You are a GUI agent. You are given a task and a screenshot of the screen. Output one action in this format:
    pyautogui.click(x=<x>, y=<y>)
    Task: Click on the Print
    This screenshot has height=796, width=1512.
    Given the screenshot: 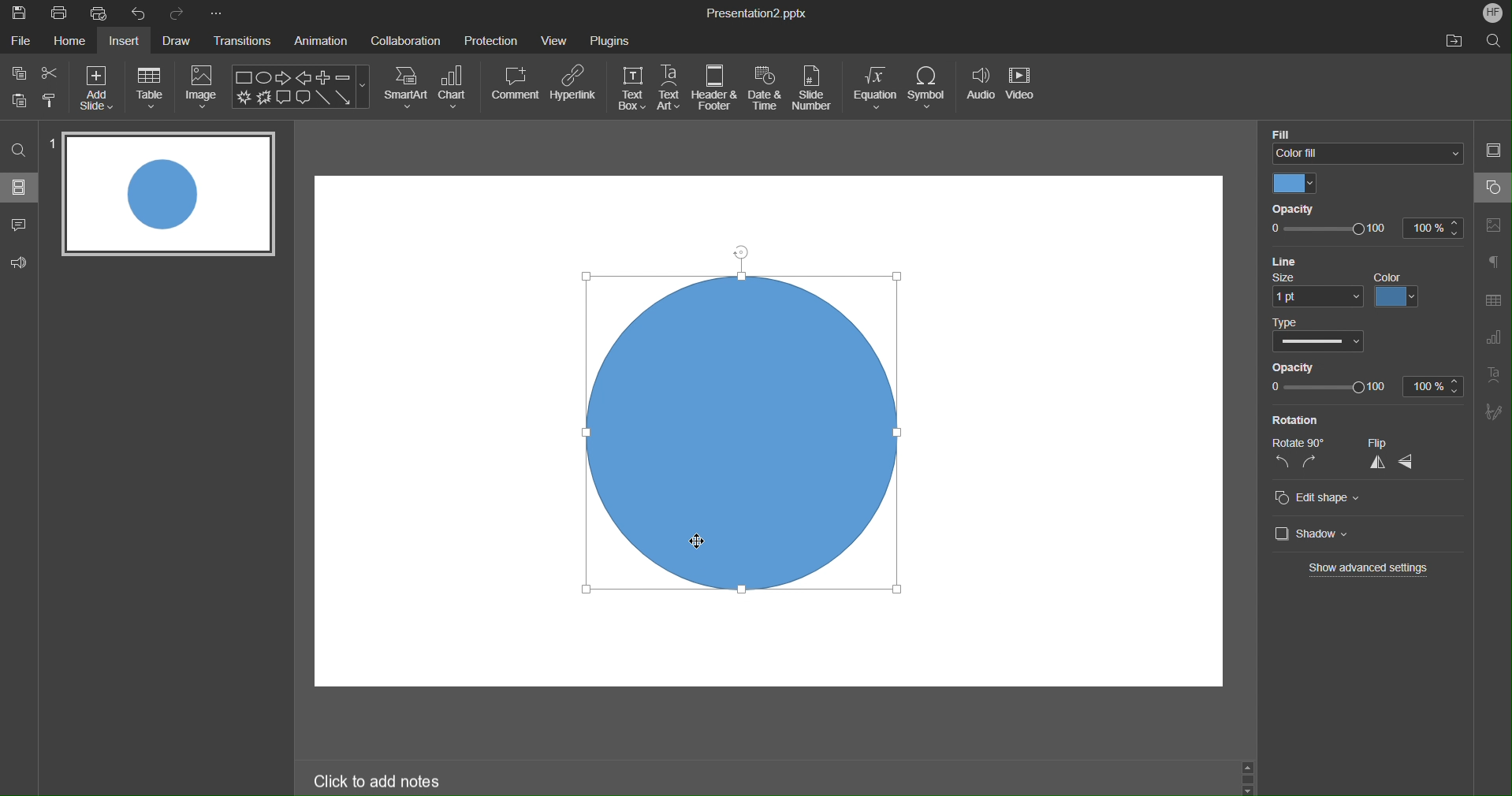 What is the action you would take?
    pyautogui.click(x=59, y=14)
    